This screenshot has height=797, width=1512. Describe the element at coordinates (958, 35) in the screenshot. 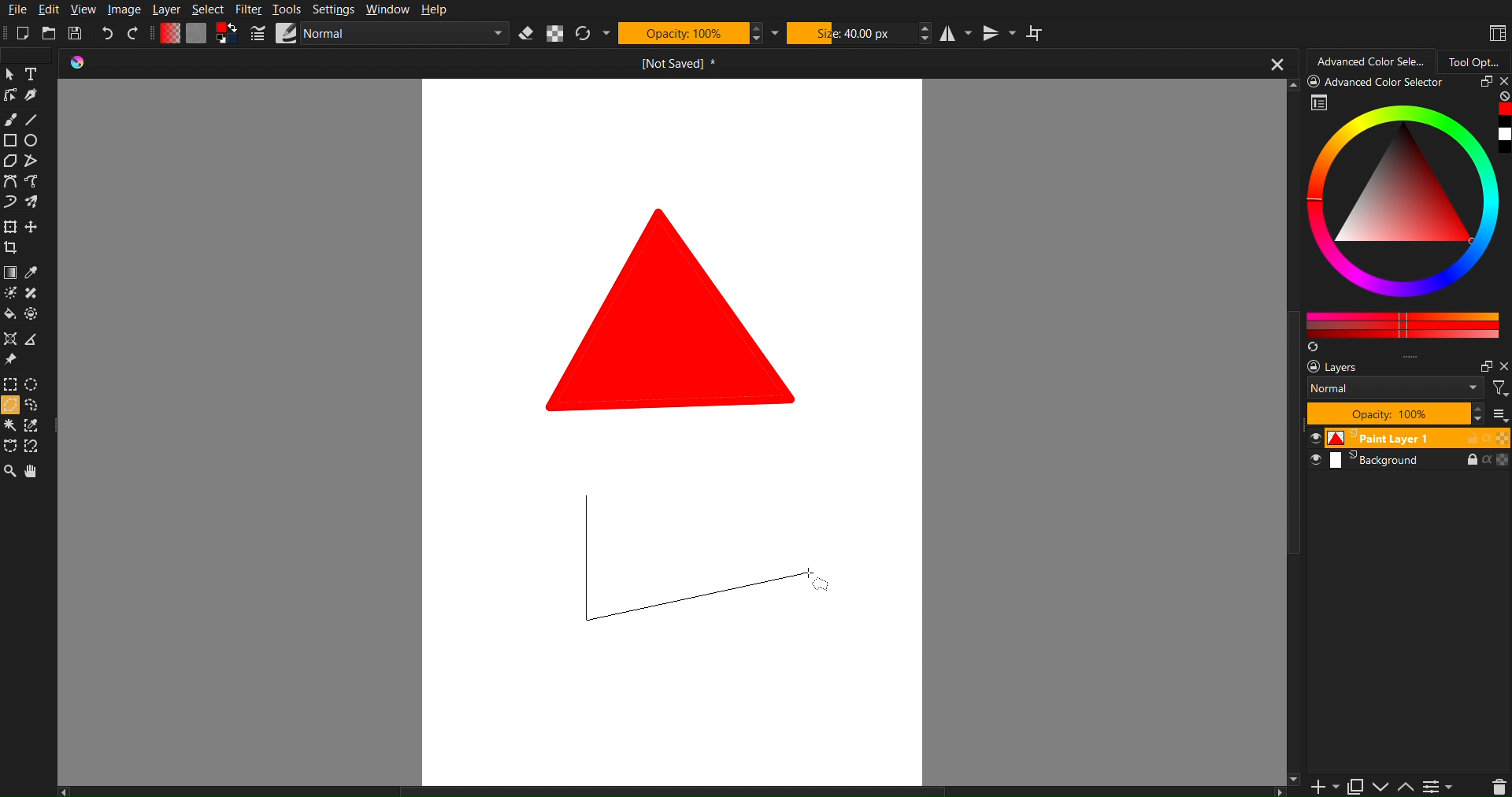

I see `Horizontal Mirror` at that location.